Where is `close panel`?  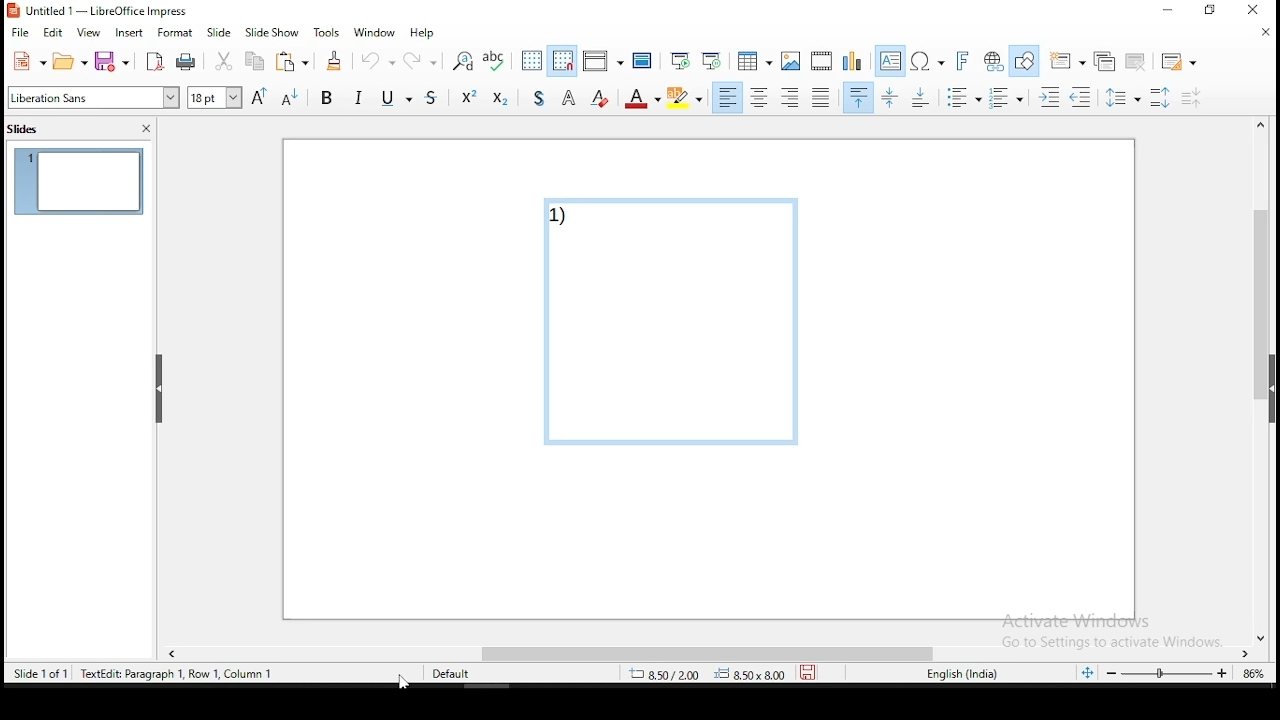 close panel is located at coordinates (147, 128).